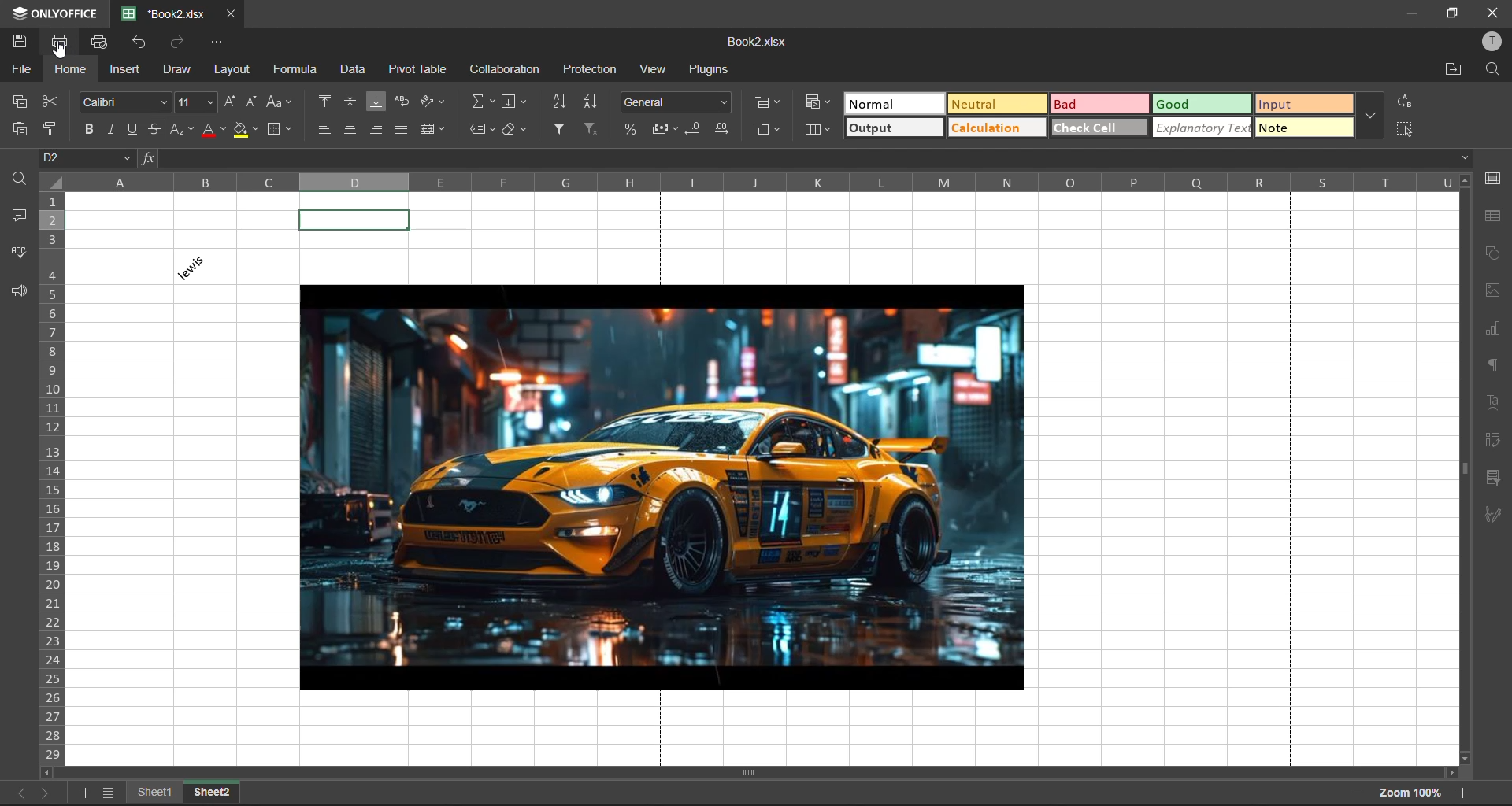 This screenshot has width=1512, height=806. Describe the element at coordinates (283, 130) in the screenshot. I see `borders` at that location.